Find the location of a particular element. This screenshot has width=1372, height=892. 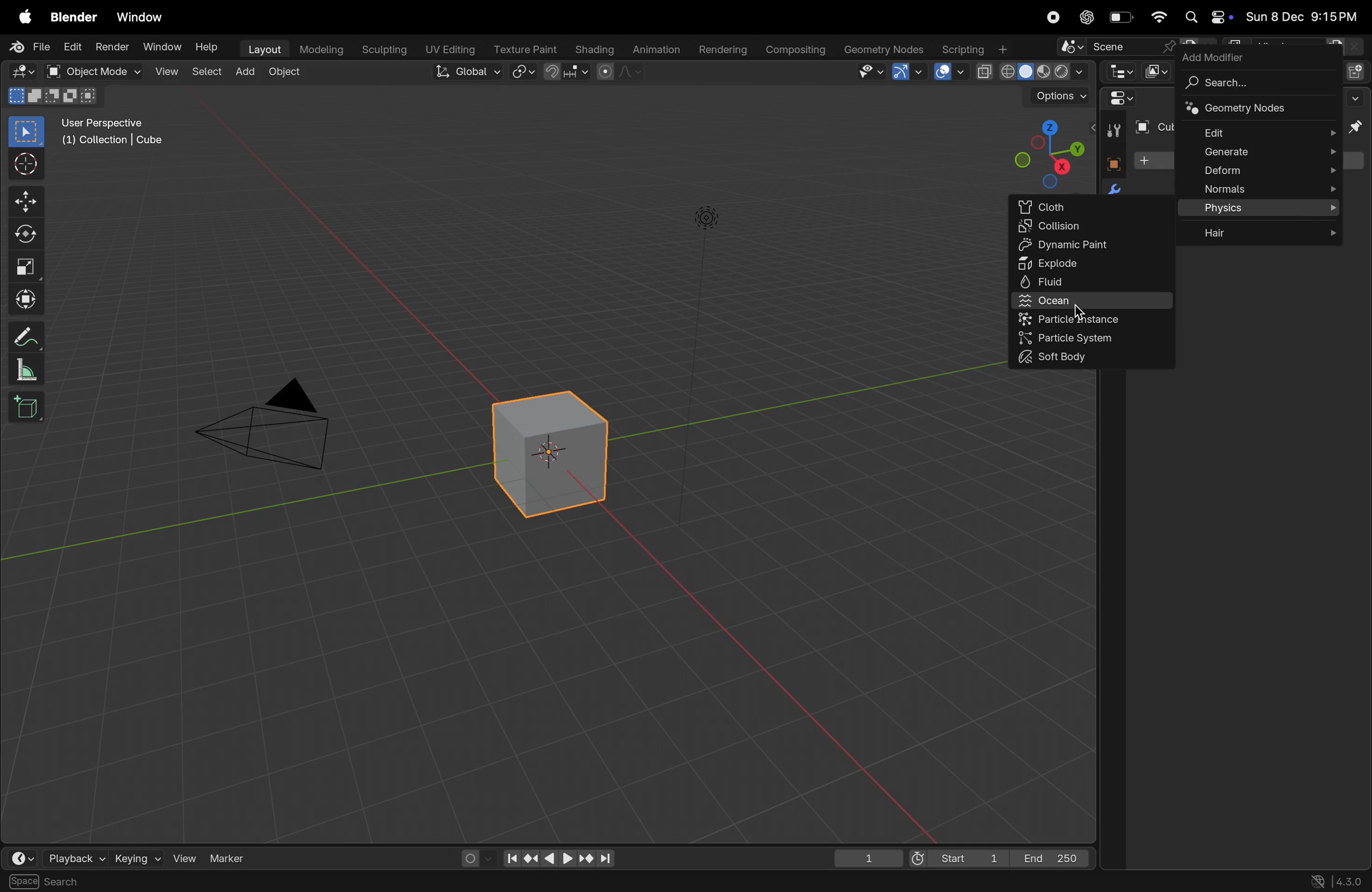

modelling is located at coordinates (322, 48).